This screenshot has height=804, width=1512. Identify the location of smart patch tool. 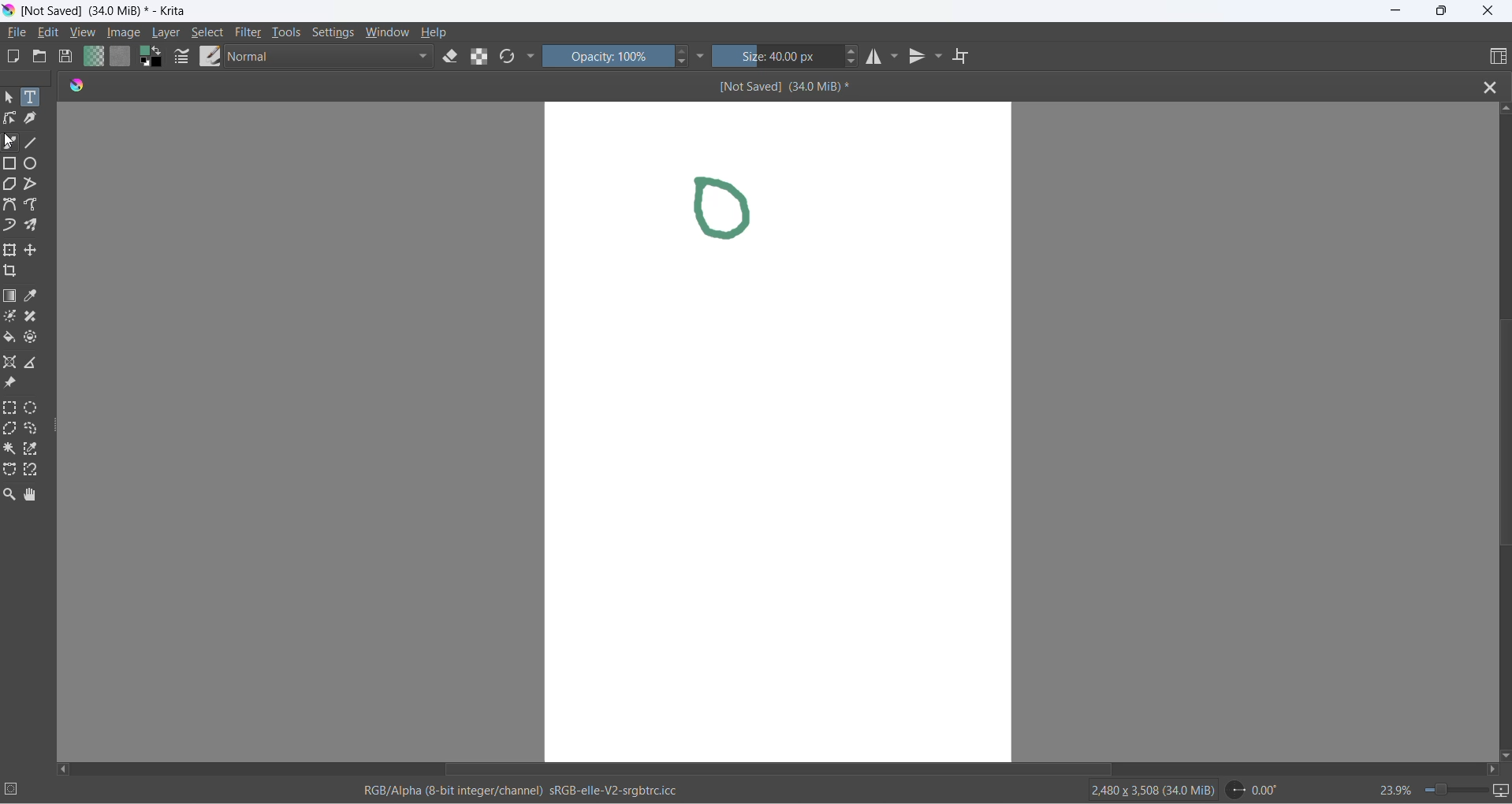
(36, 318).